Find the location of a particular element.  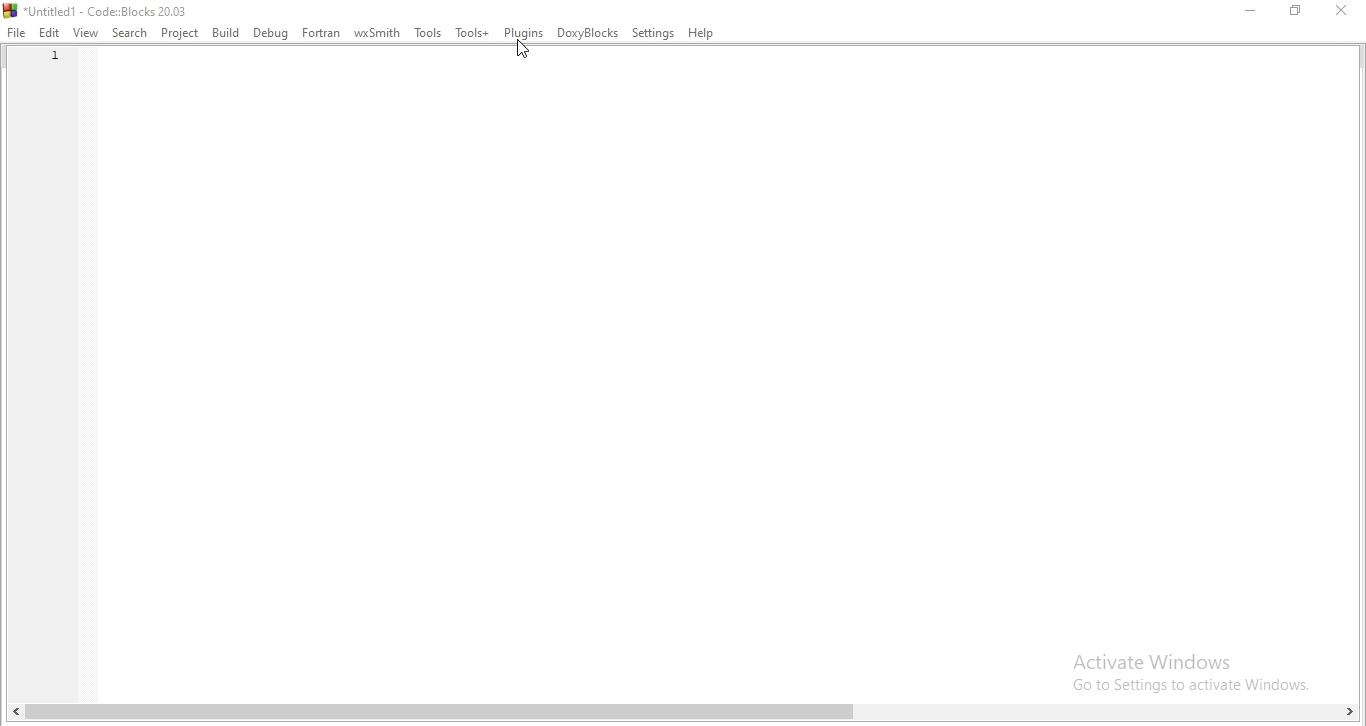

DoxyBlocks is located at coordinates (588, 32).